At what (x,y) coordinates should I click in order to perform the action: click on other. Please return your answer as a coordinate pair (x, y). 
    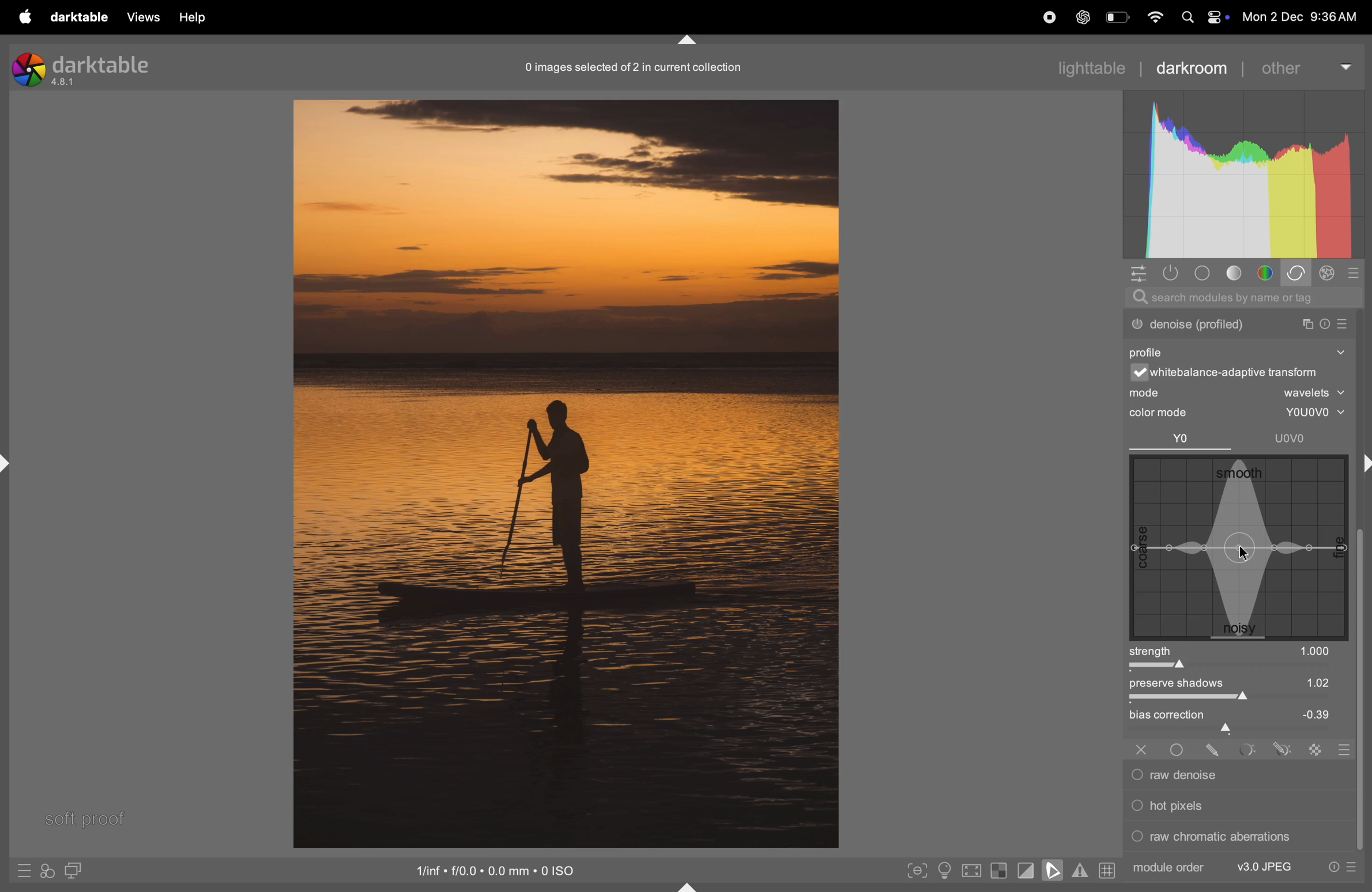
    Looking at the image, I should click on (1309, 65).